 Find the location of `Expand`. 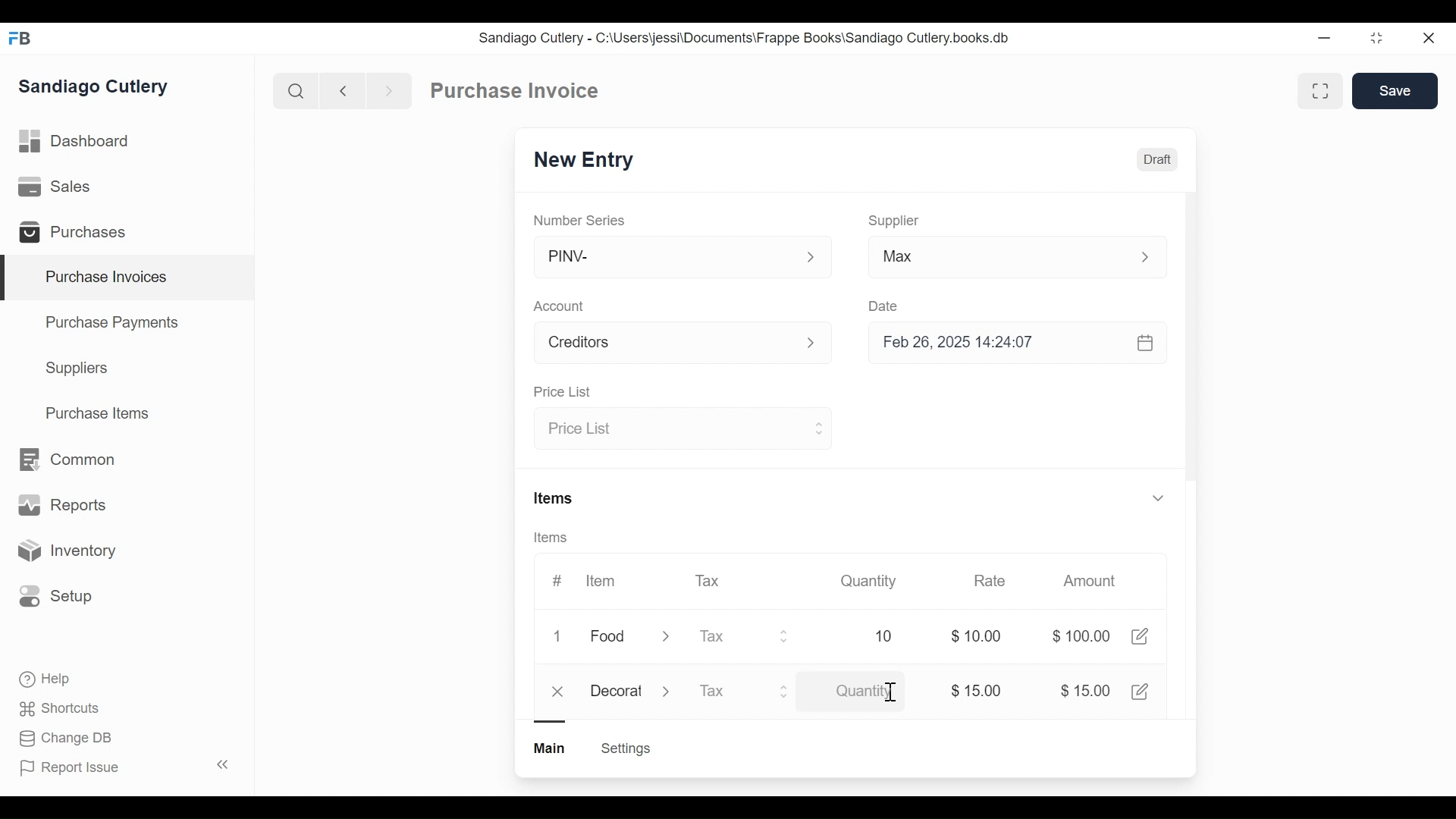

Expand is located at coordinates (1157, 497).